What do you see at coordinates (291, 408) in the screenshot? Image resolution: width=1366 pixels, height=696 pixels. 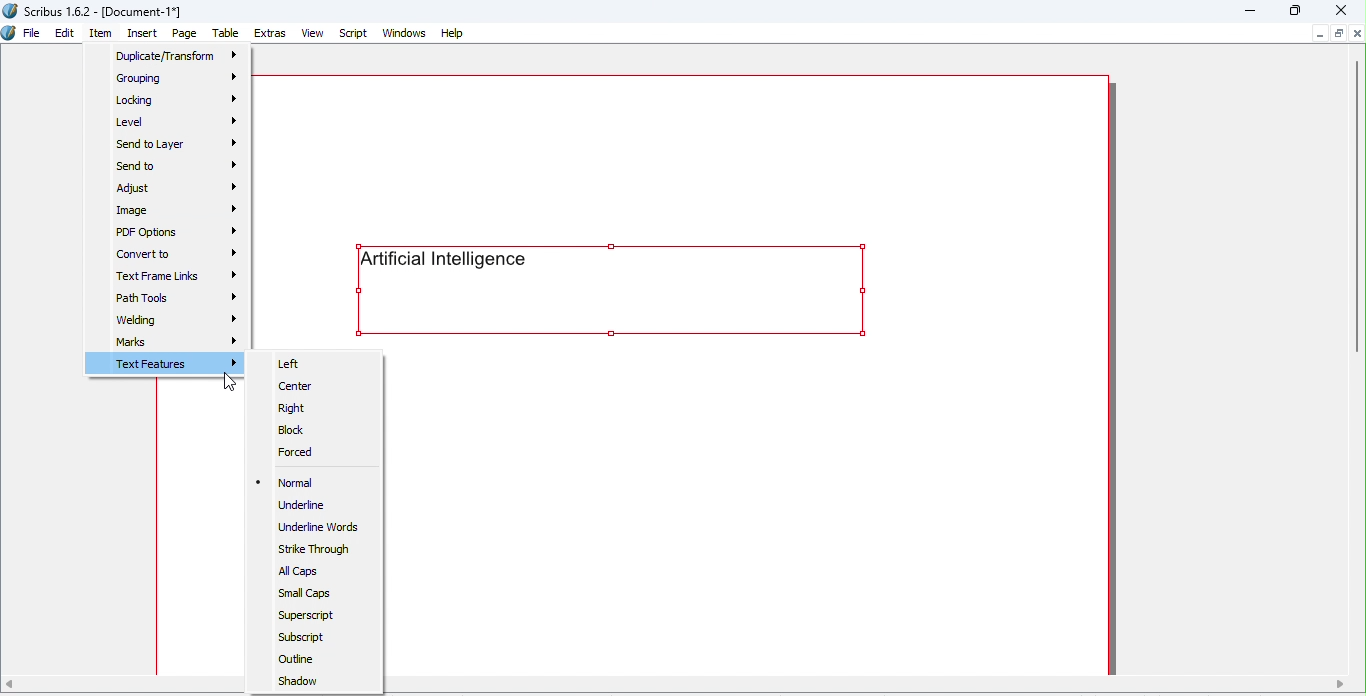 I see `Right` at bounding box center [291, 408].